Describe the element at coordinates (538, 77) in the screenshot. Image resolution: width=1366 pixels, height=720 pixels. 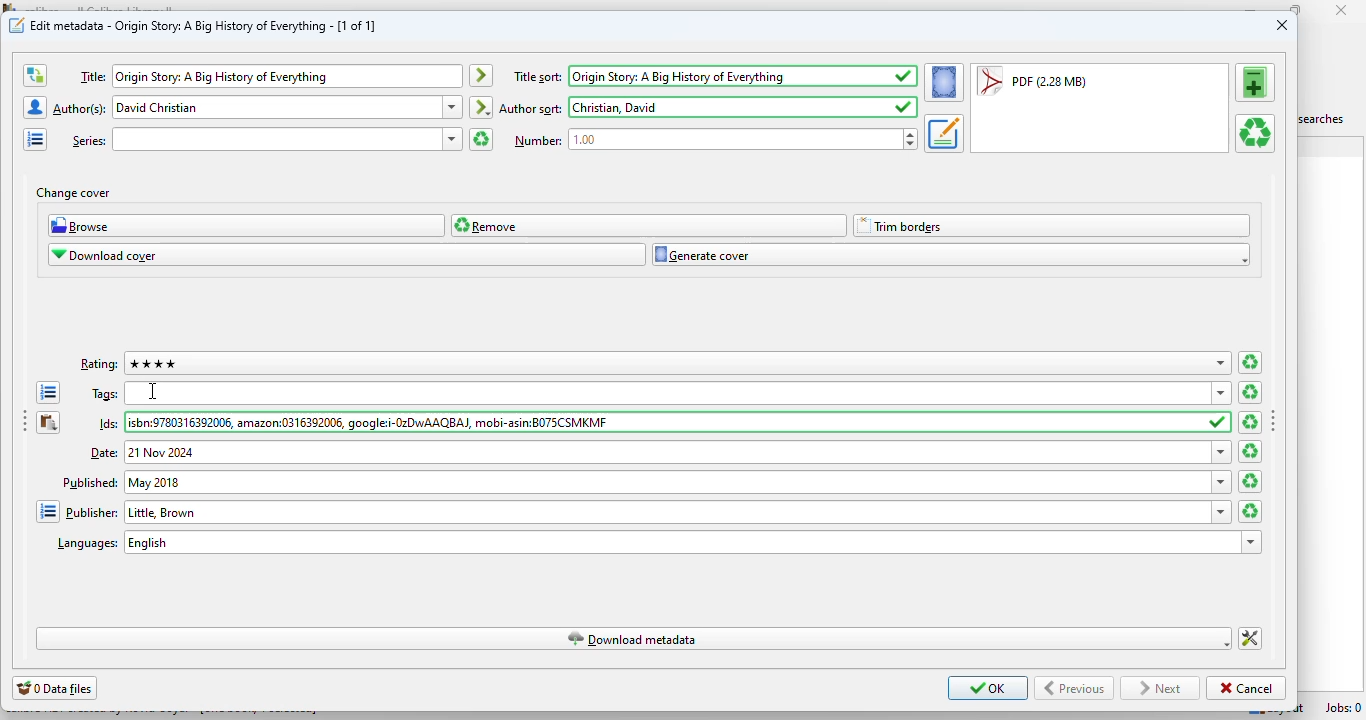
I see `text` at that location.